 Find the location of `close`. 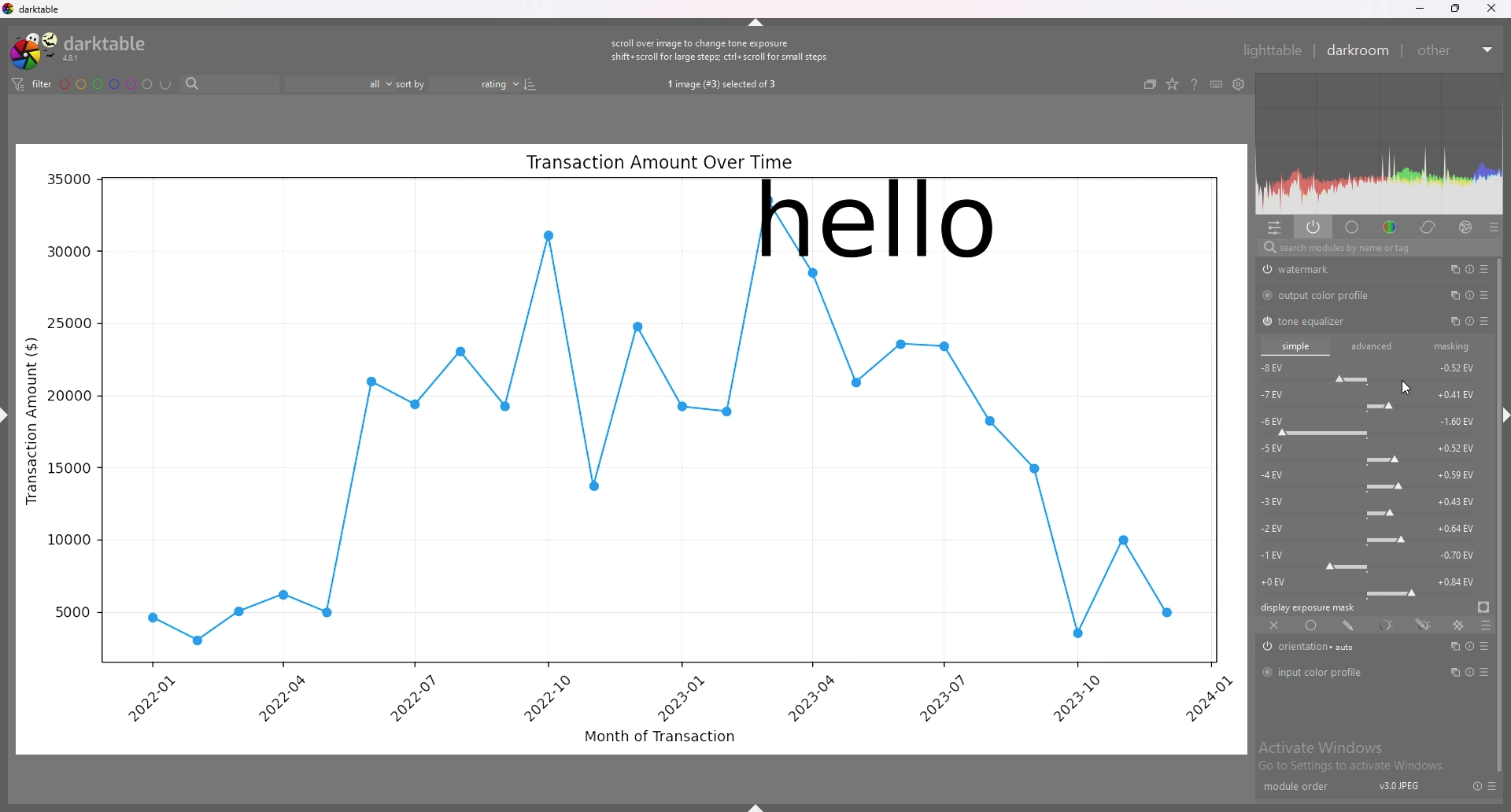

close is located at coordinates (1490, 8).